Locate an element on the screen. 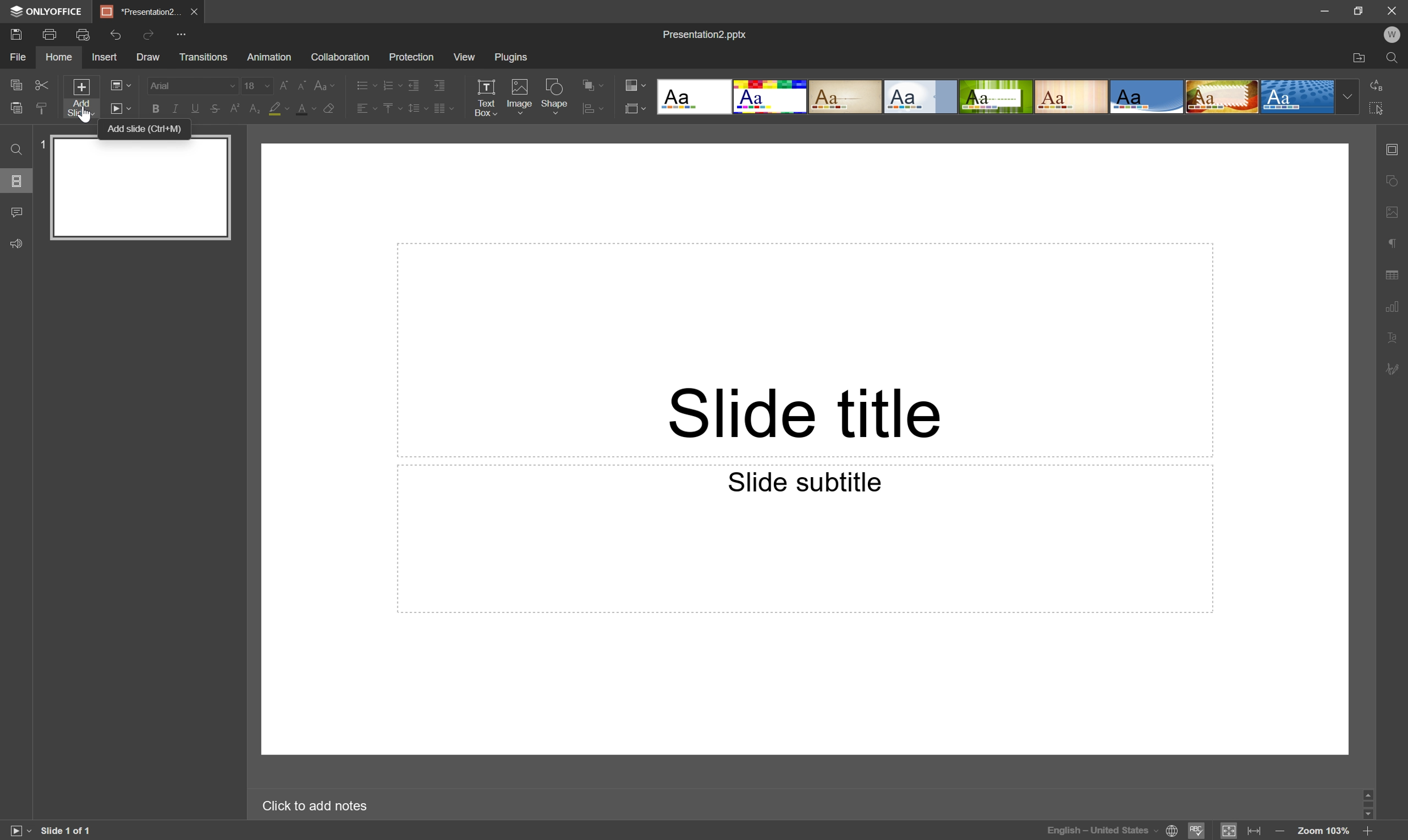  Chart settings is located at coordinates (1394, 305).